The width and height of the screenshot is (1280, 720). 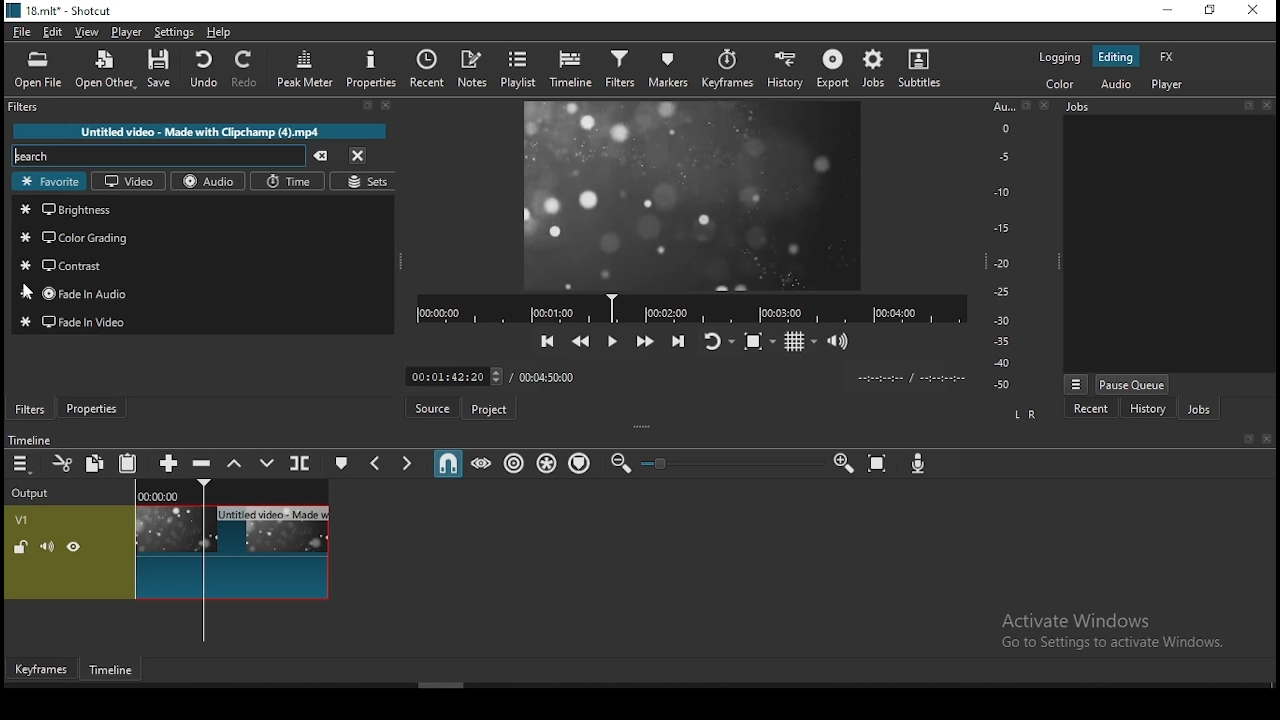 What do you see at coordinates (204, 236) in the screenshot?
I see `color grading` at bounding box center [204, 236].